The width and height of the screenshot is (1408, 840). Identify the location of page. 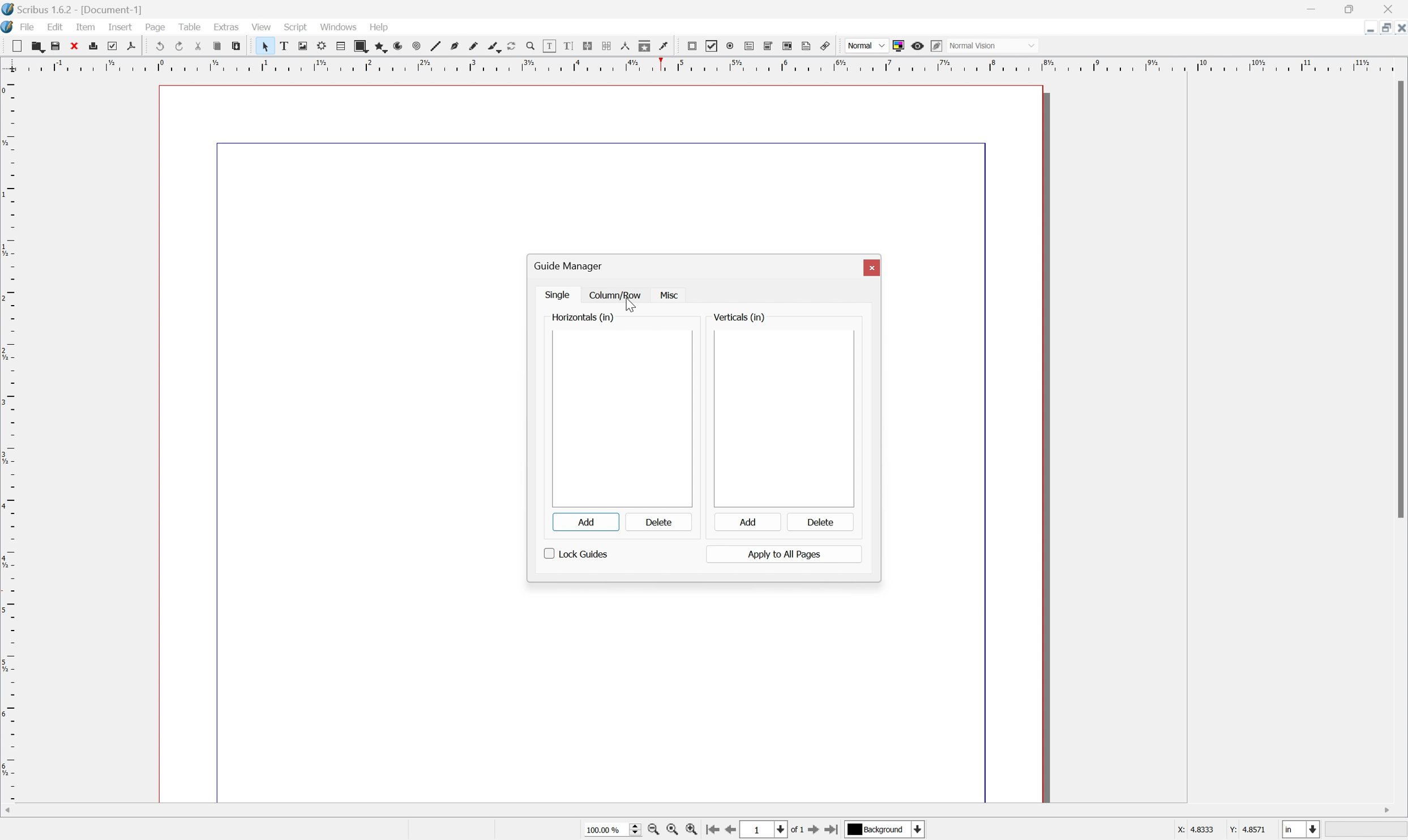
(155, 27).